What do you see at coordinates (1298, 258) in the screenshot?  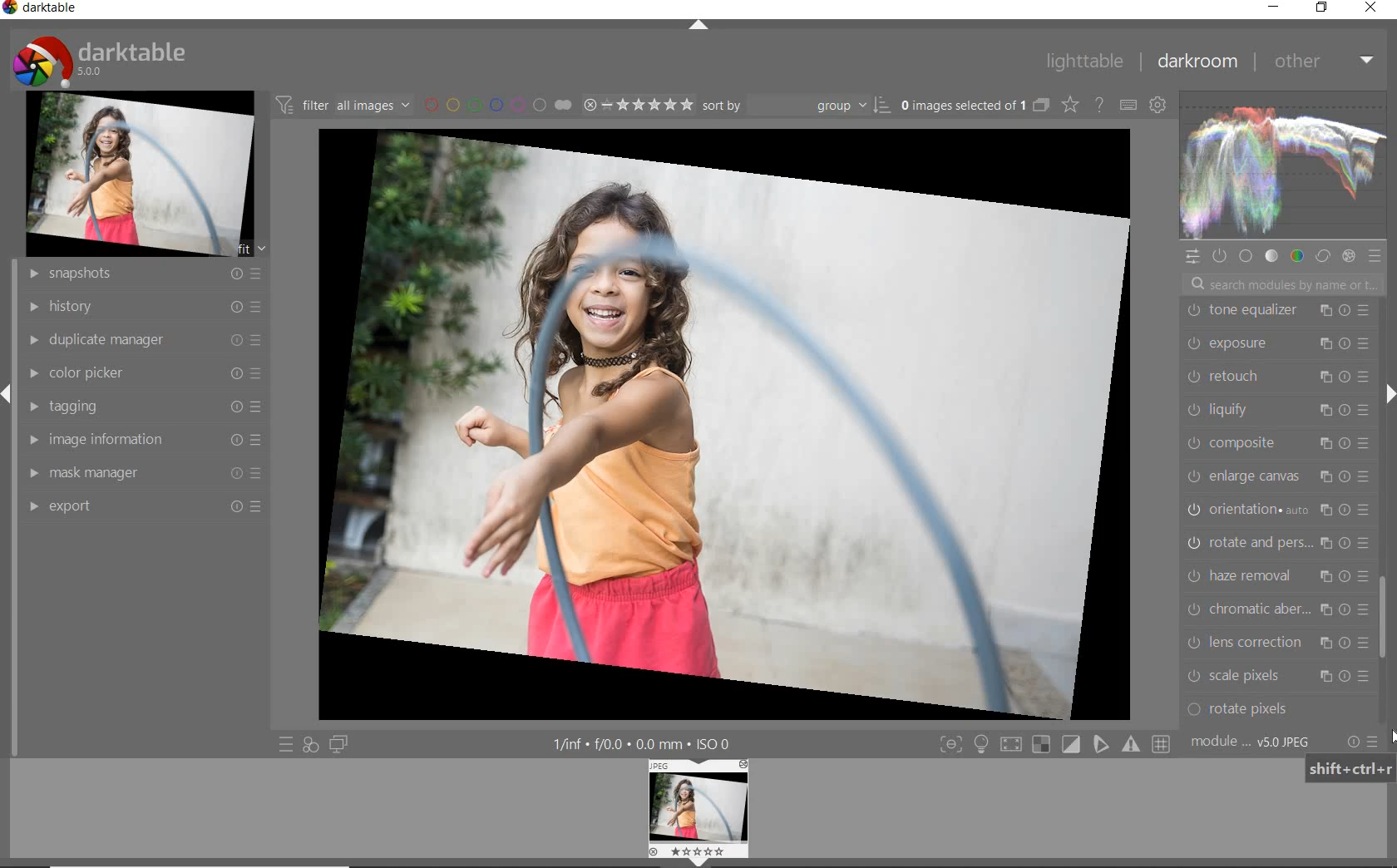 I see `color` at bounding box center [1298, 258].